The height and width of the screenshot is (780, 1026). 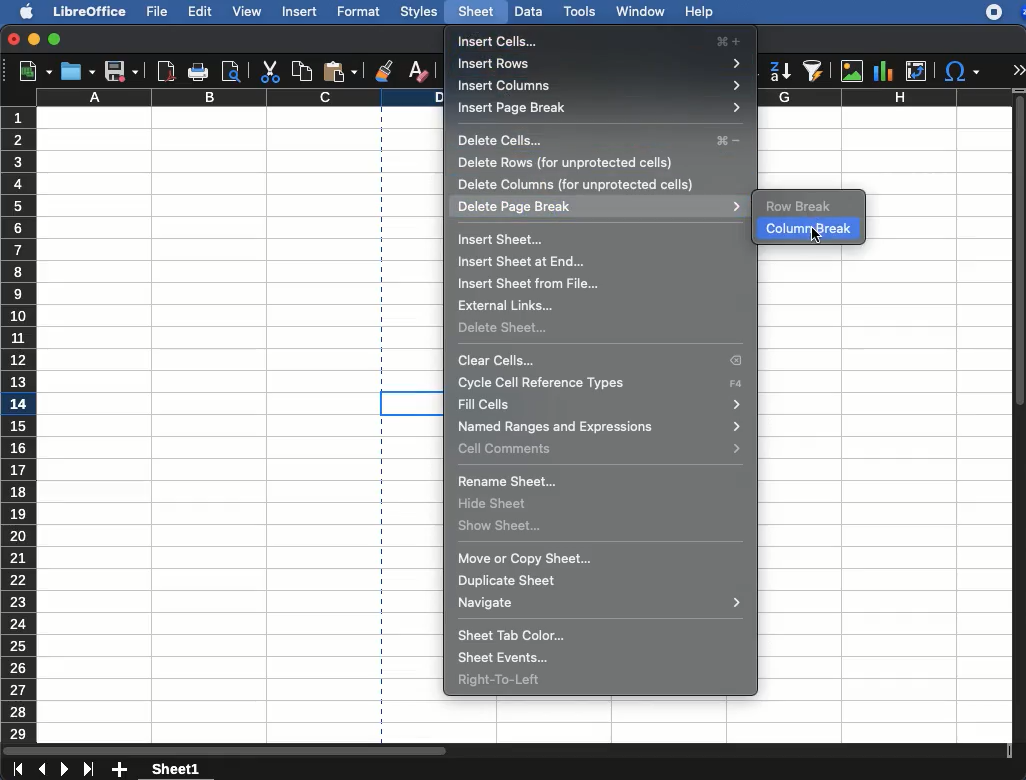 I want to click on cell selected, so click(x=410, y=403).